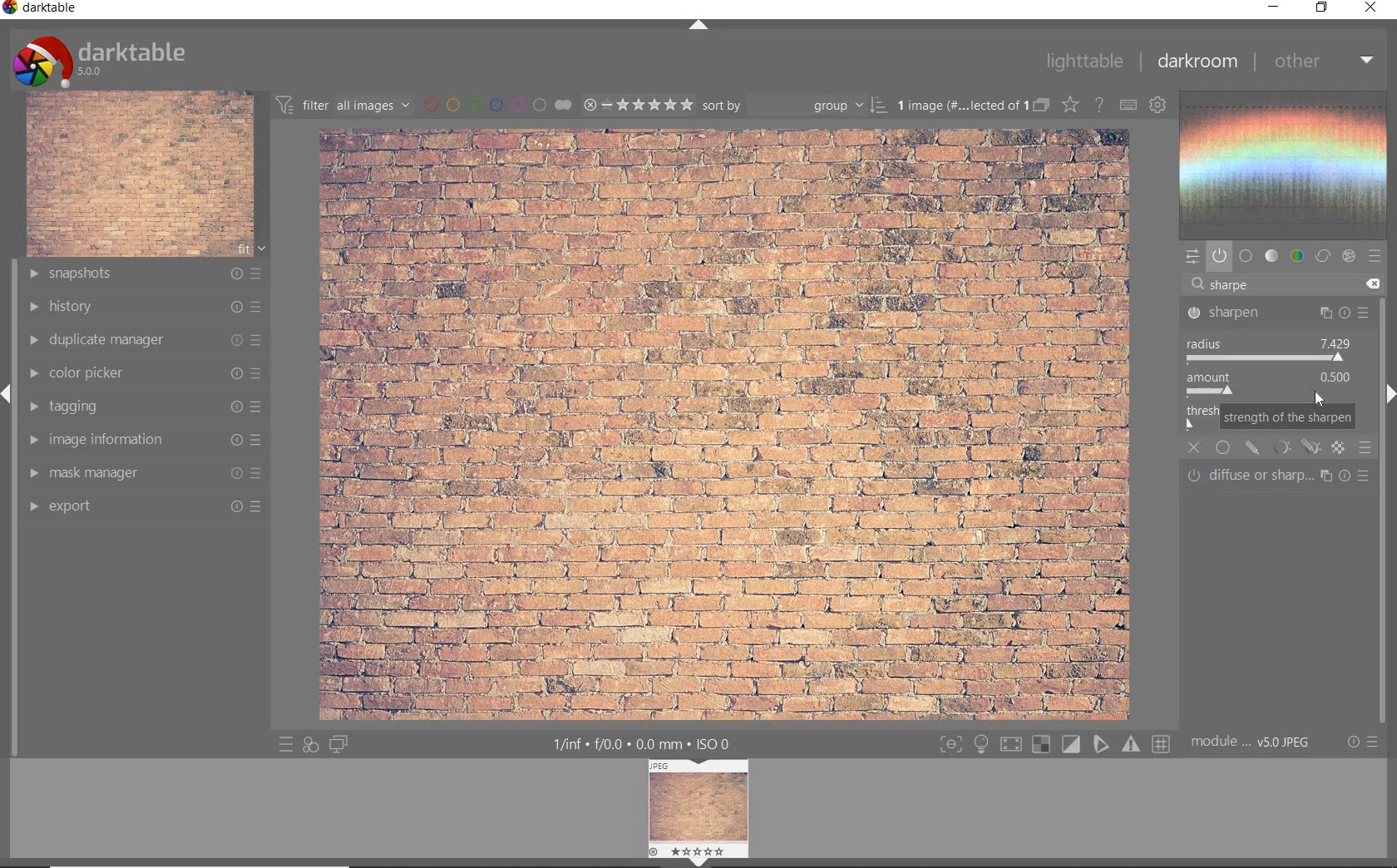 The width and height of the screenshot is (1397, 868). Describe the element at coordinates (1276, 384) in the screenshot. I see `AMOUNT 0.500` at that location.